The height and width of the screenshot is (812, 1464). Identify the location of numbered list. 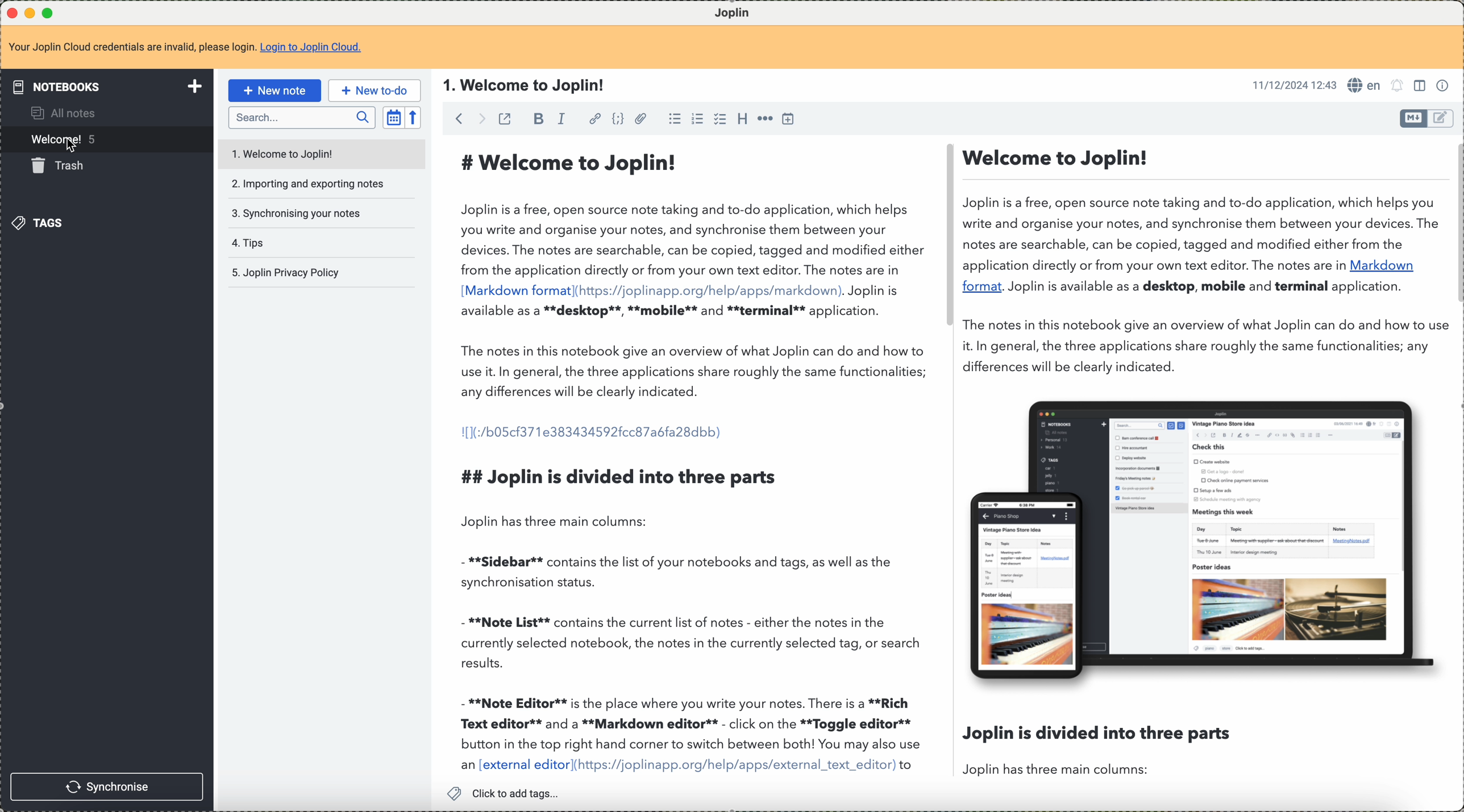
(697, 119).